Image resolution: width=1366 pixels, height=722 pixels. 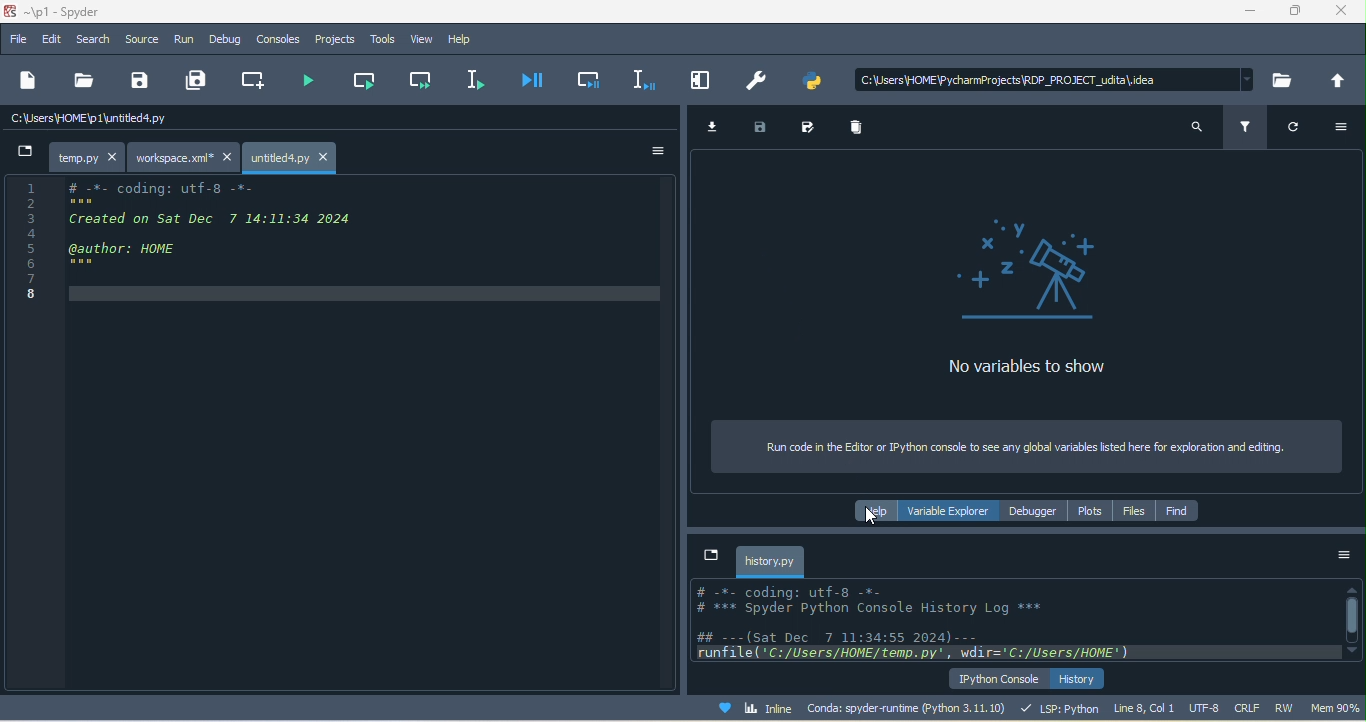 I want to click on history, so click(x=771, y=561).